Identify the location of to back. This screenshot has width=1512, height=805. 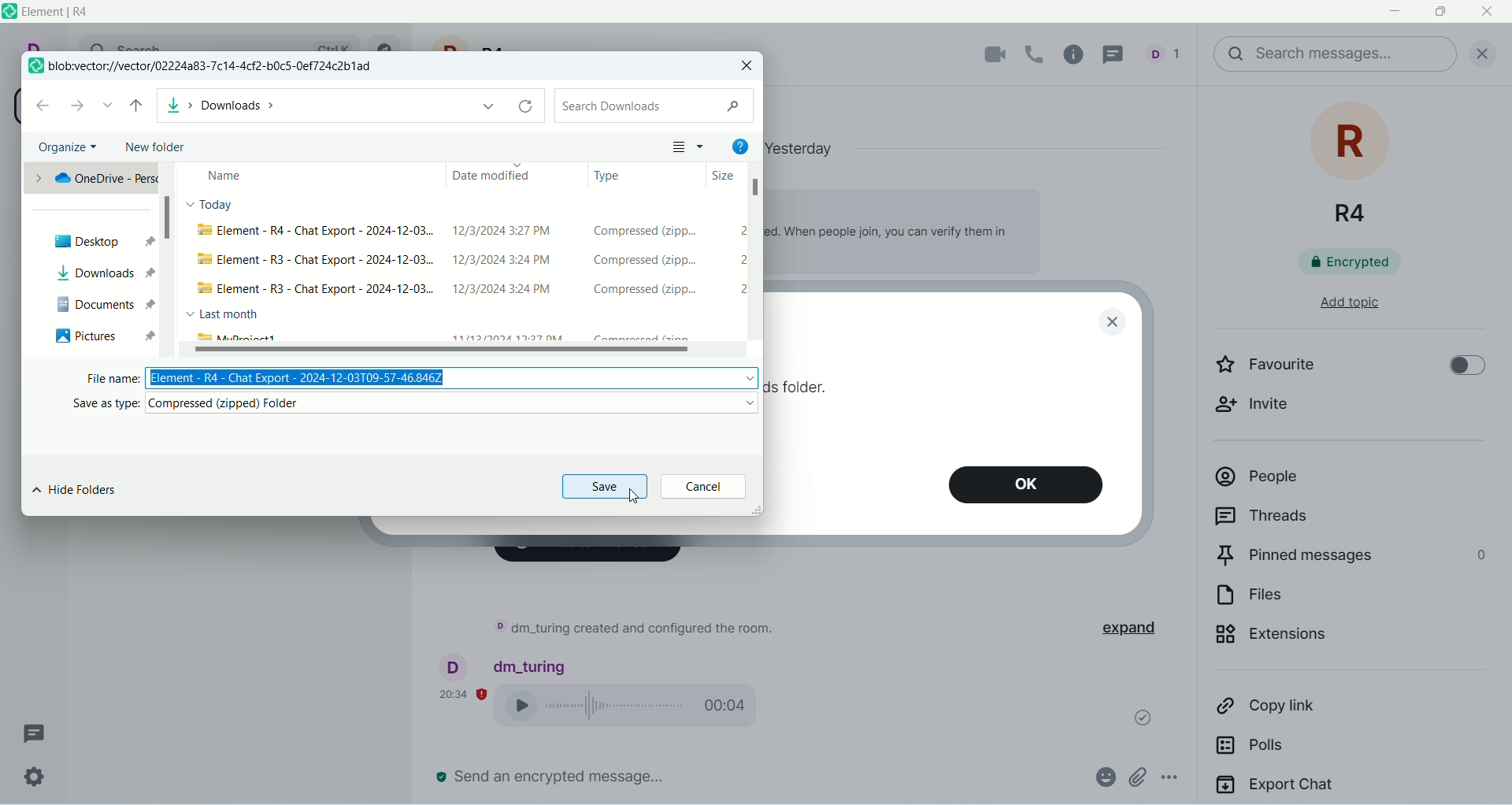
(46, 108).